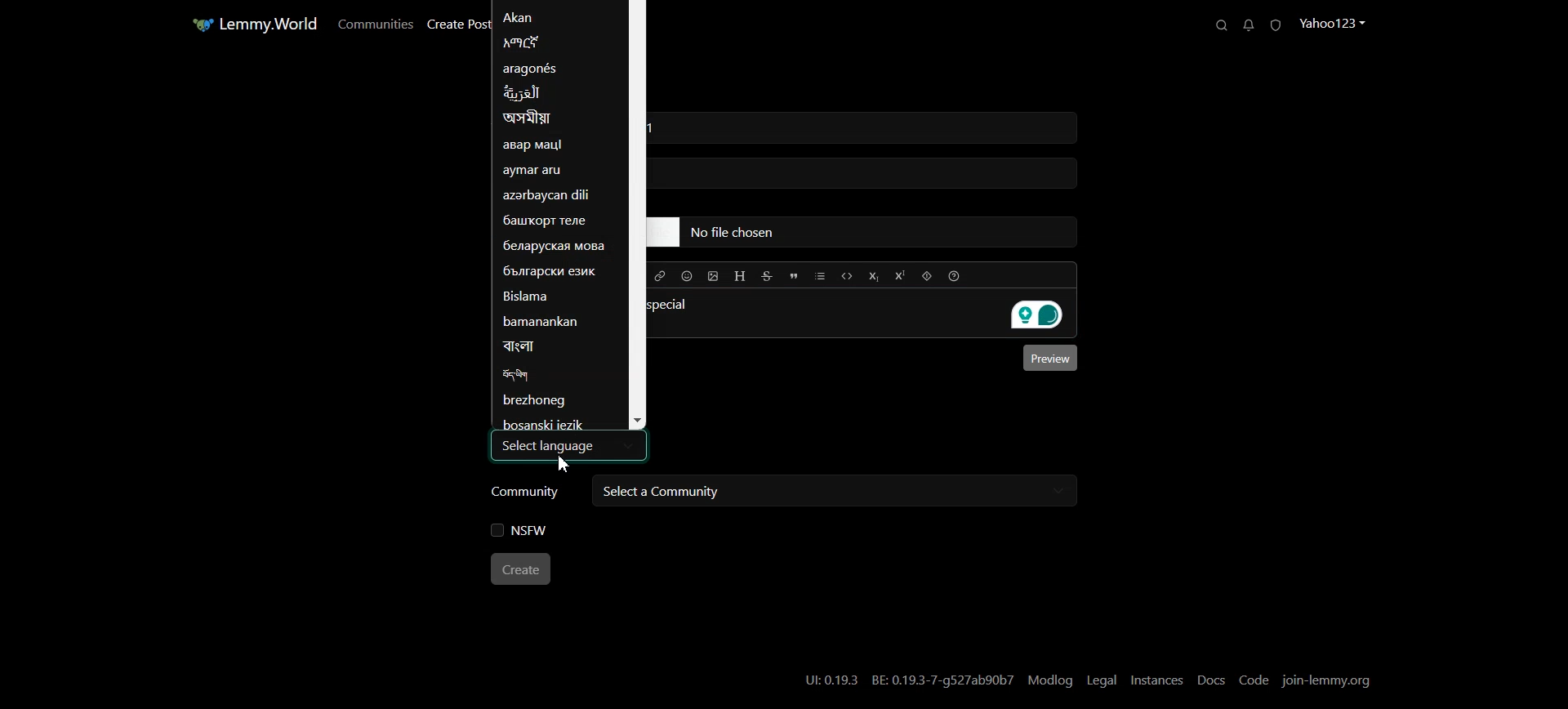 The width and height of the screenshot is (1568, 709). Describe the element at coordinates (458, 25) in the screenshot. I see `Create Post` at that location.